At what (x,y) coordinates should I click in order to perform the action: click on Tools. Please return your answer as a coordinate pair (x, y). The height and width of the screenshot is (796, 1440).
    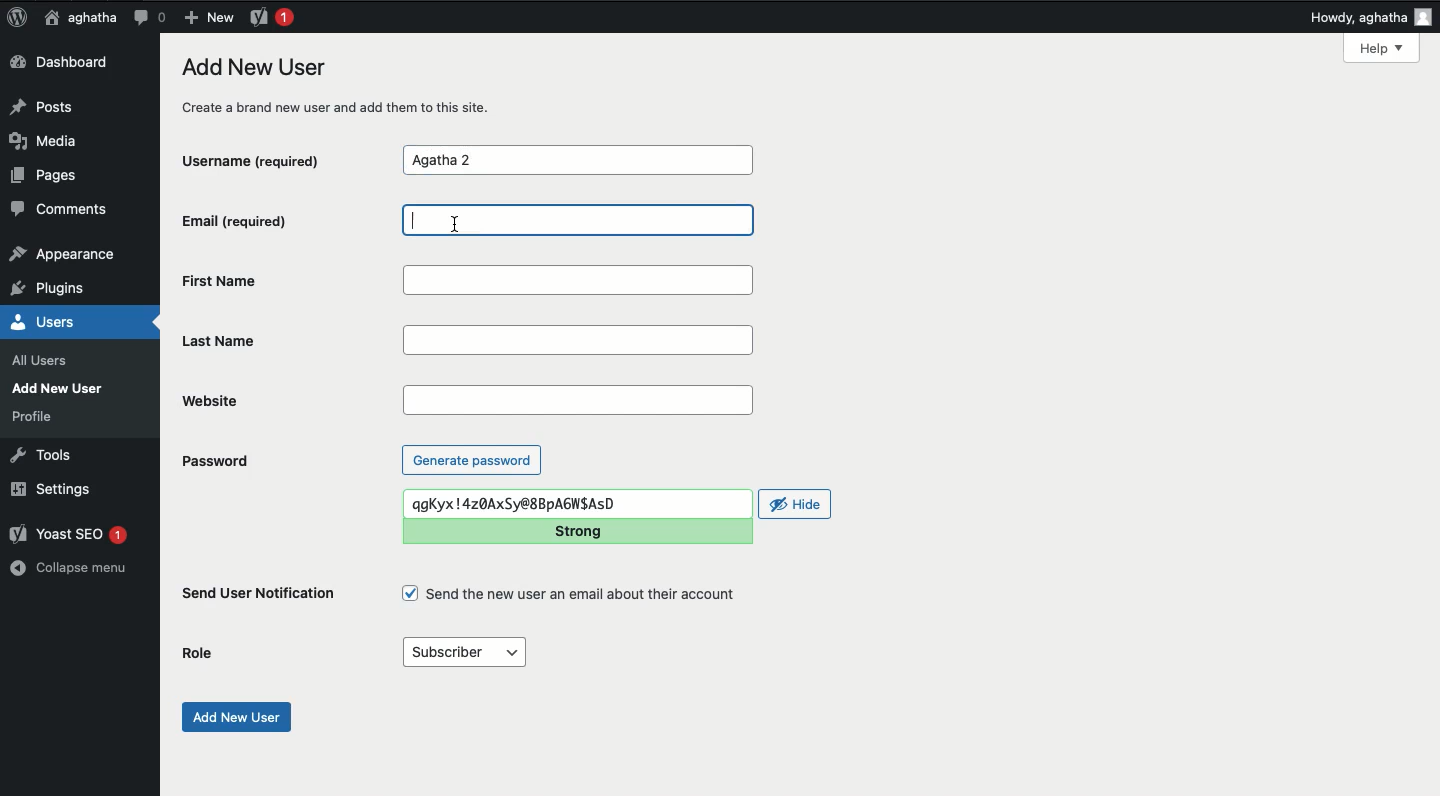
    Looking at the image, I should click on (42, 453).